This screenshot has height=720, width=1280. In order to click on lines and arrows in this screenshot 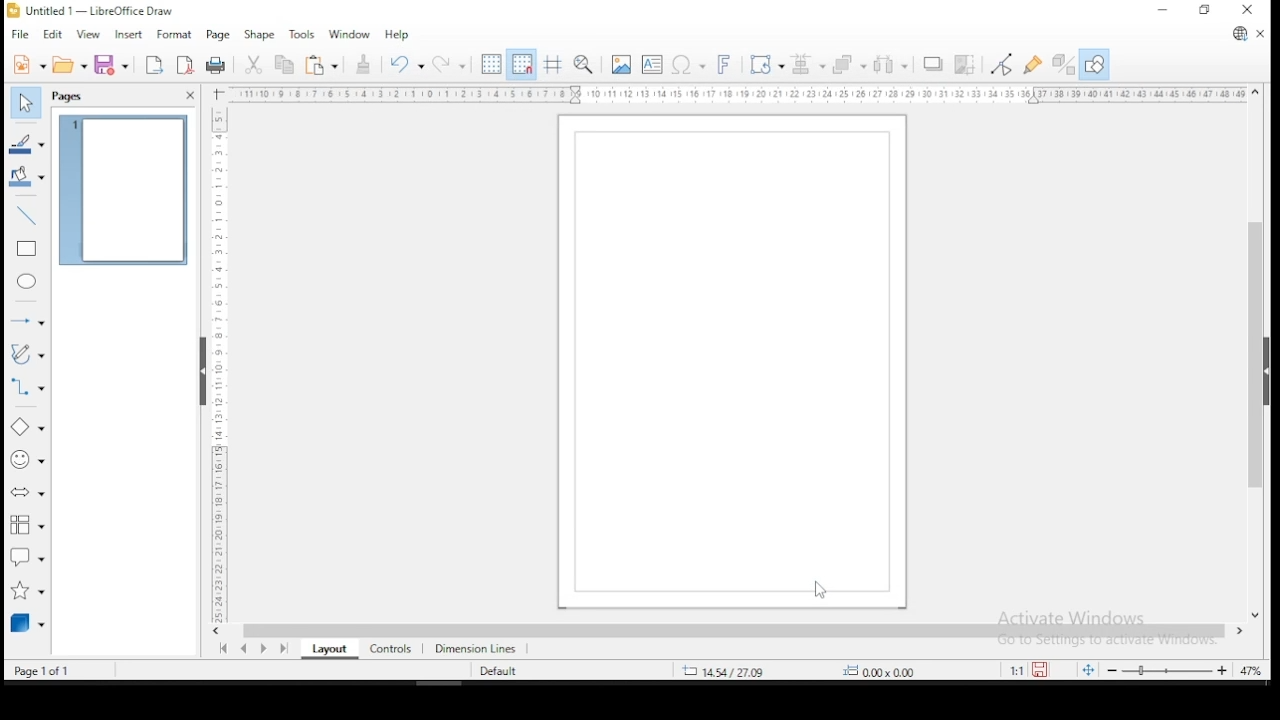, I will do `click(27, 318)`.